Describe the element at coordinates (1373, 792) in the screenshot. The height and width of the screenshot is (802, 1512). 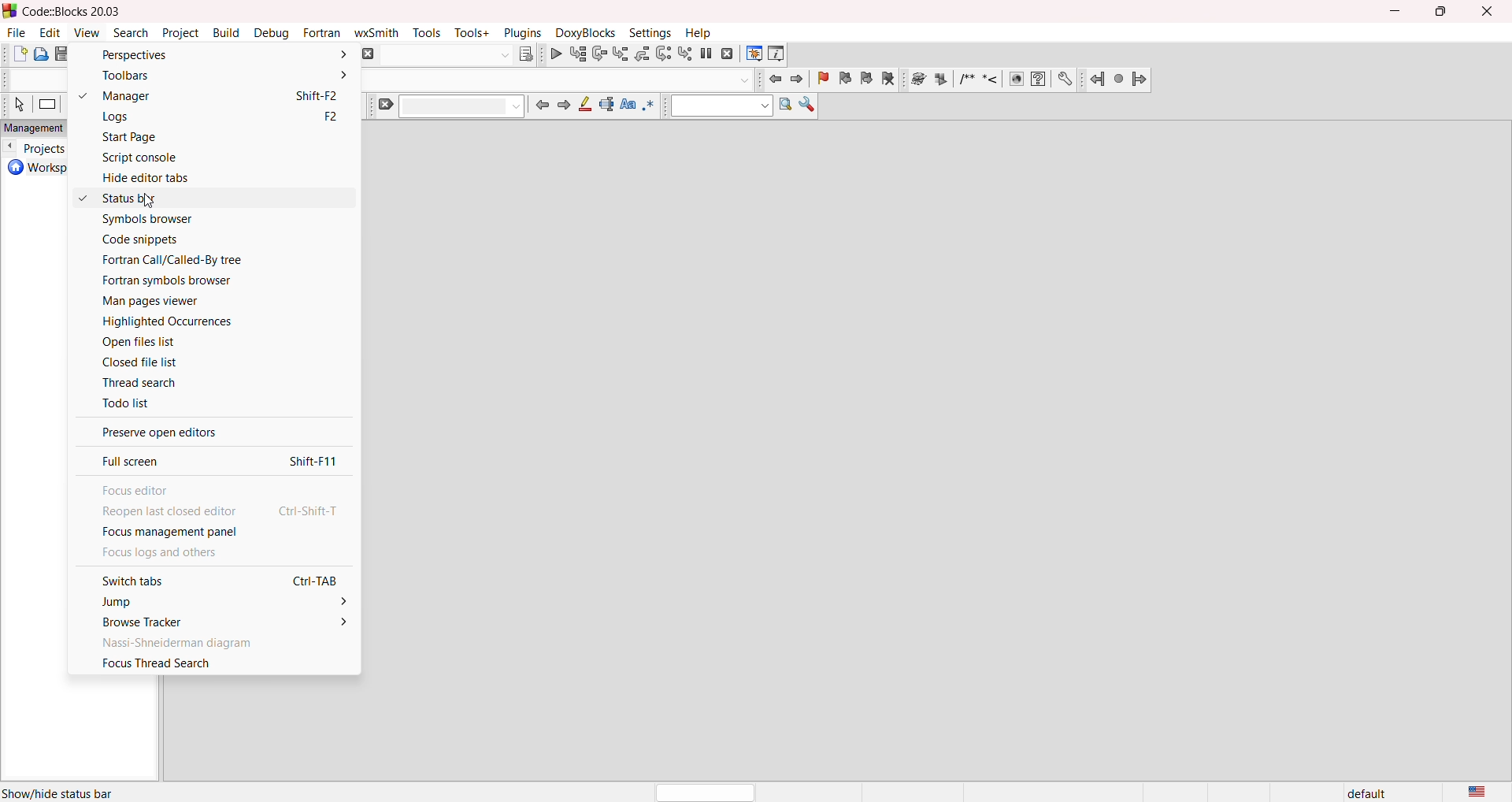
I see `default` at that location.